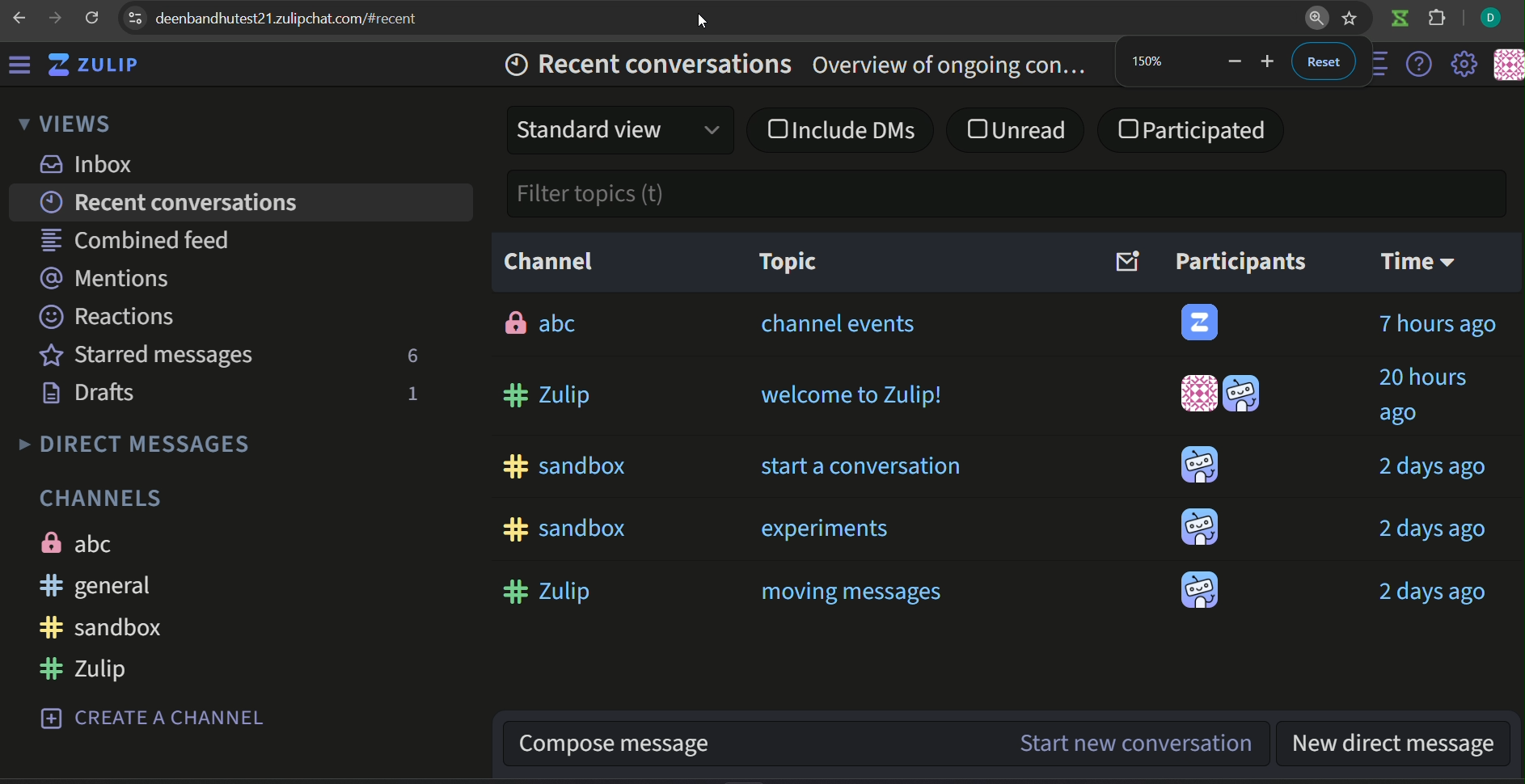  Describe the element at coordinates (92, 19) in the screenshot. I see `refresh` at that location.